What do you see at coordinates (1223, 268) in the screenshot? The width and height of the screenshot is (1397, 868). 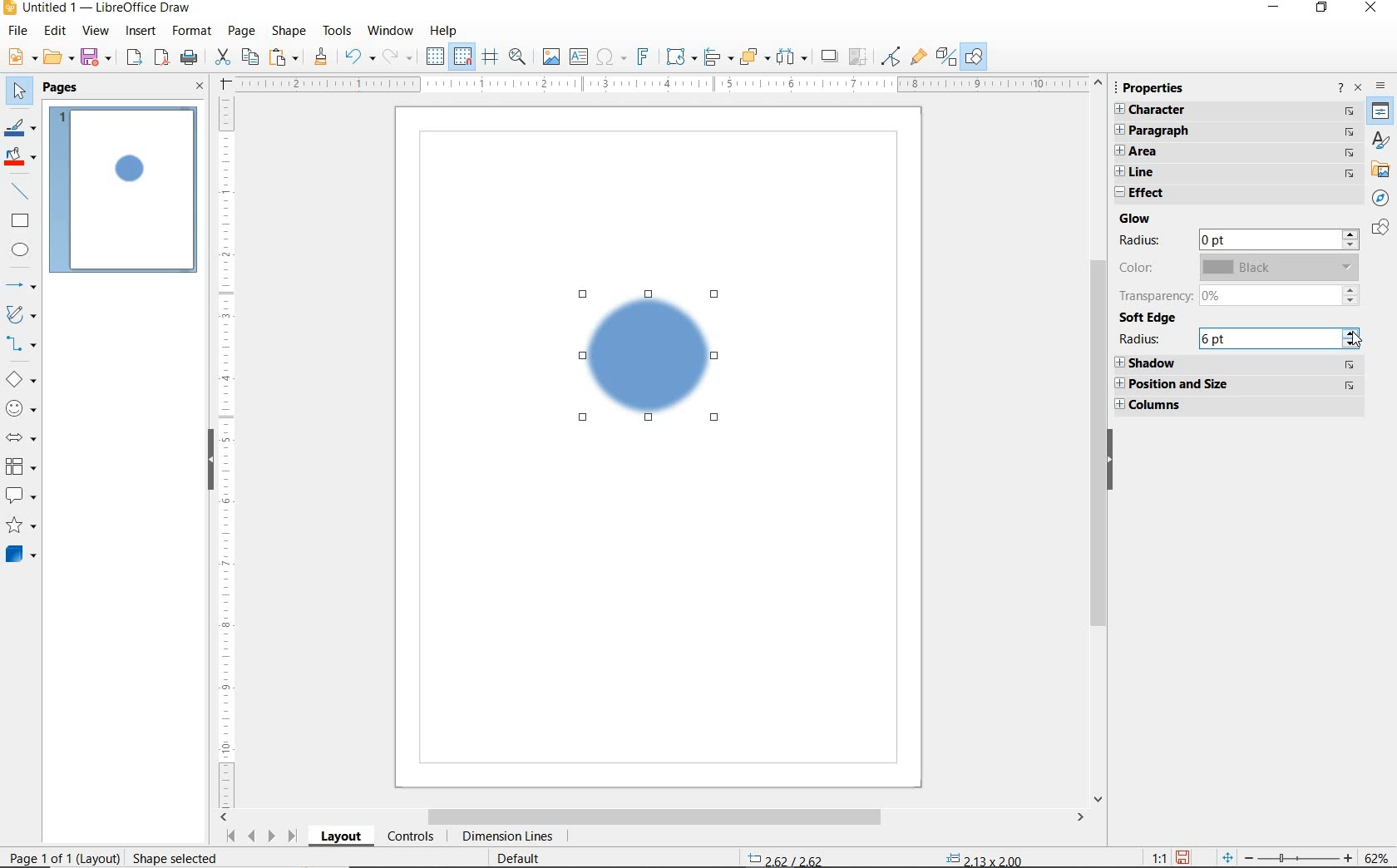 I see `COLOR Black` at bounding box center [1223, 268].